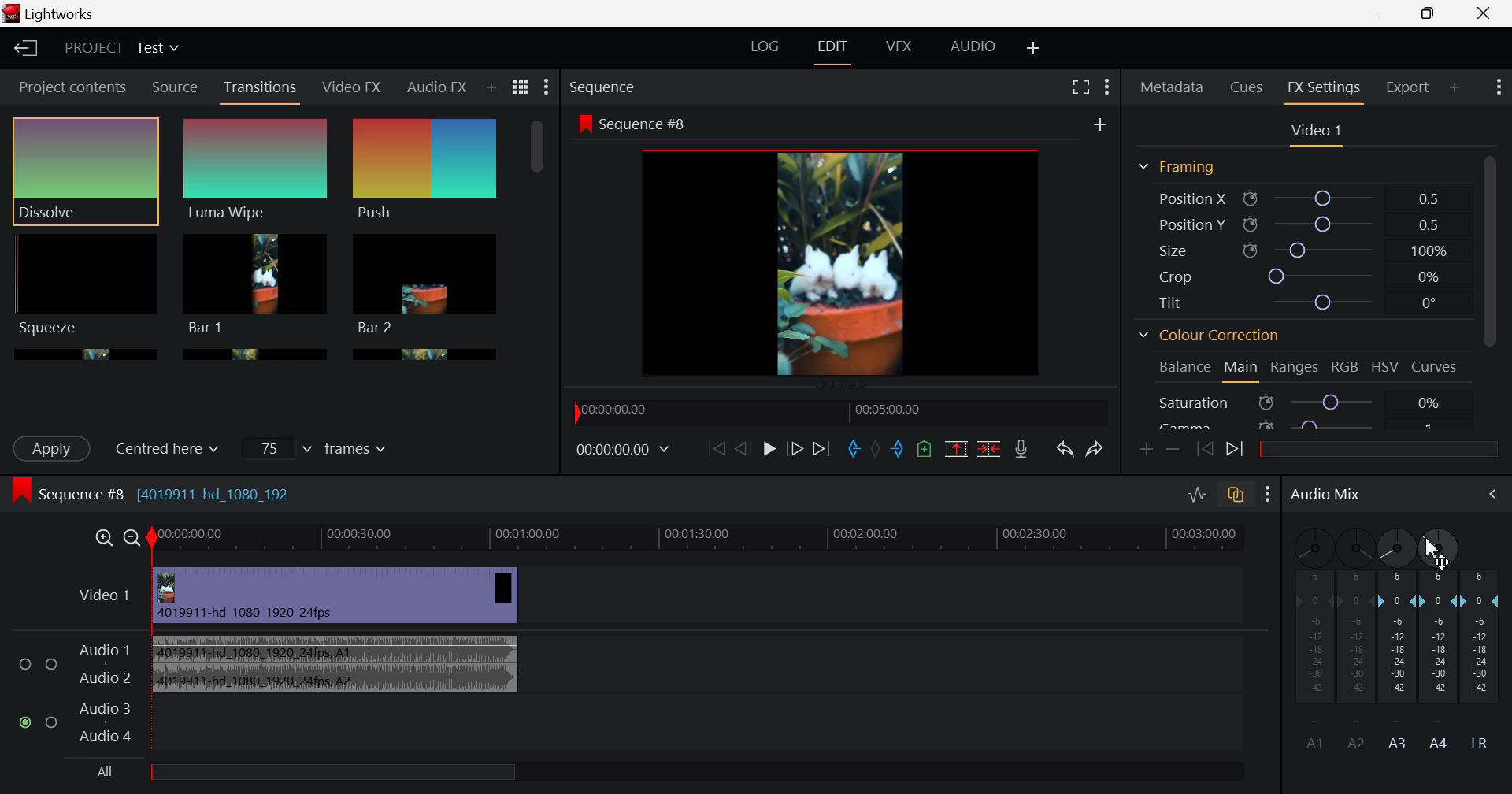  Describe the element at coordinates (350, 89) in the screenshot. I see `Video FX` at that location.